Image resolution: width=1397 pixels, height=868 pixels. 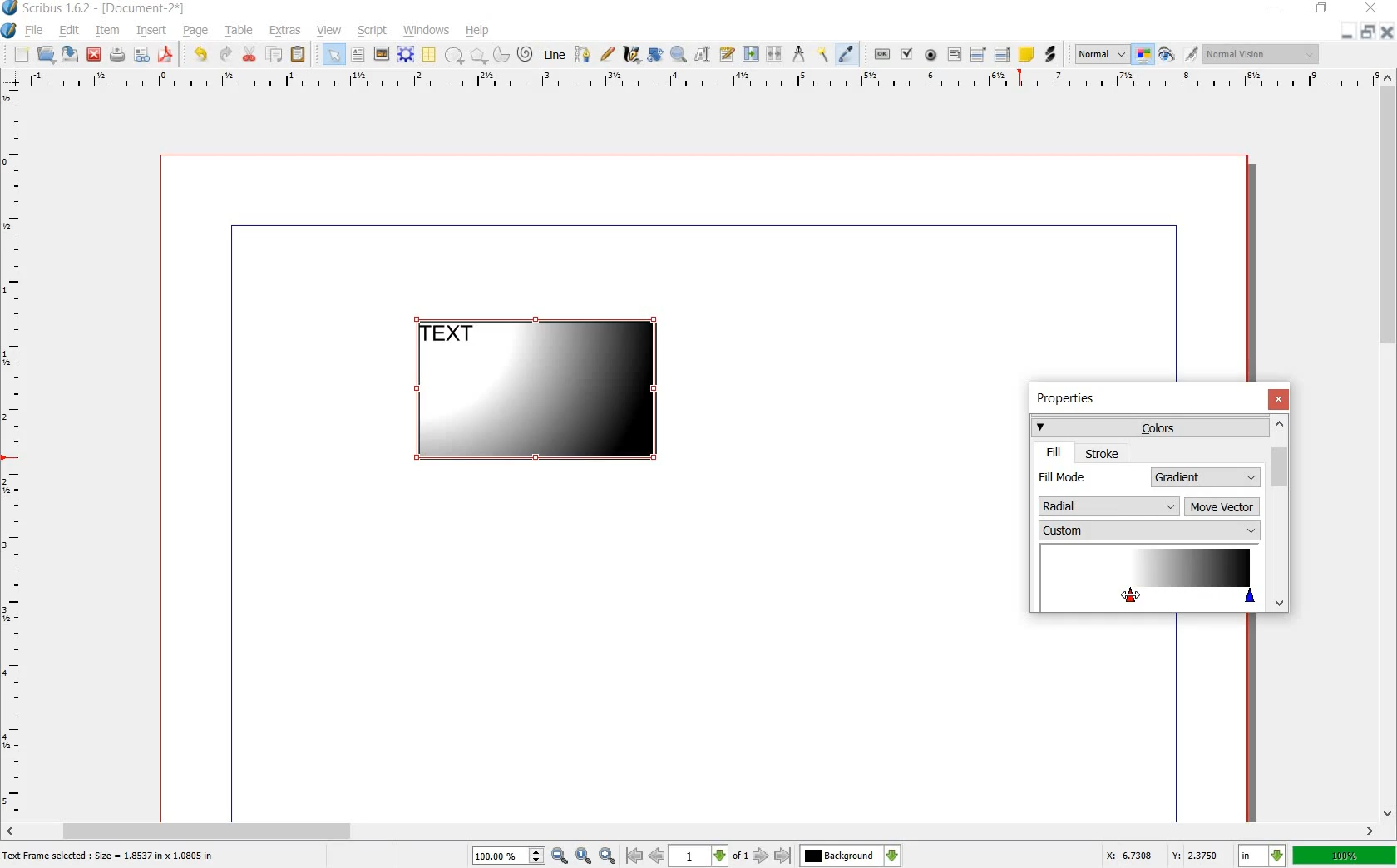 What do you see at coordinates (847, 55) in the screenshot?
I see `eye dropper` at bounding box center [847, 55].